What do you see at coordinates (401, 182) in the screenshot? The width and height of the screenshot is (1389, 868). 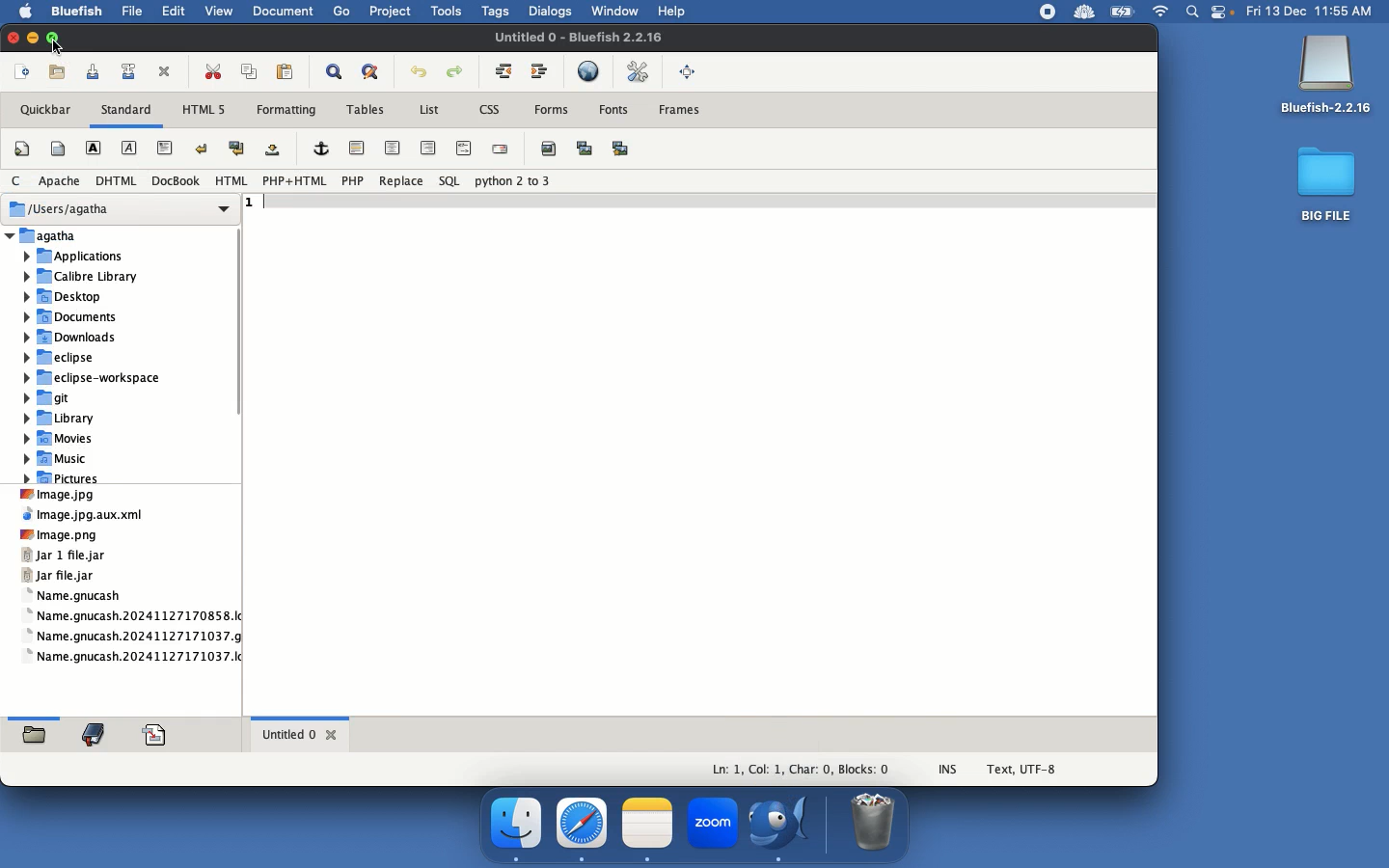 I see `Replace ` at bounding box center [401, 182].